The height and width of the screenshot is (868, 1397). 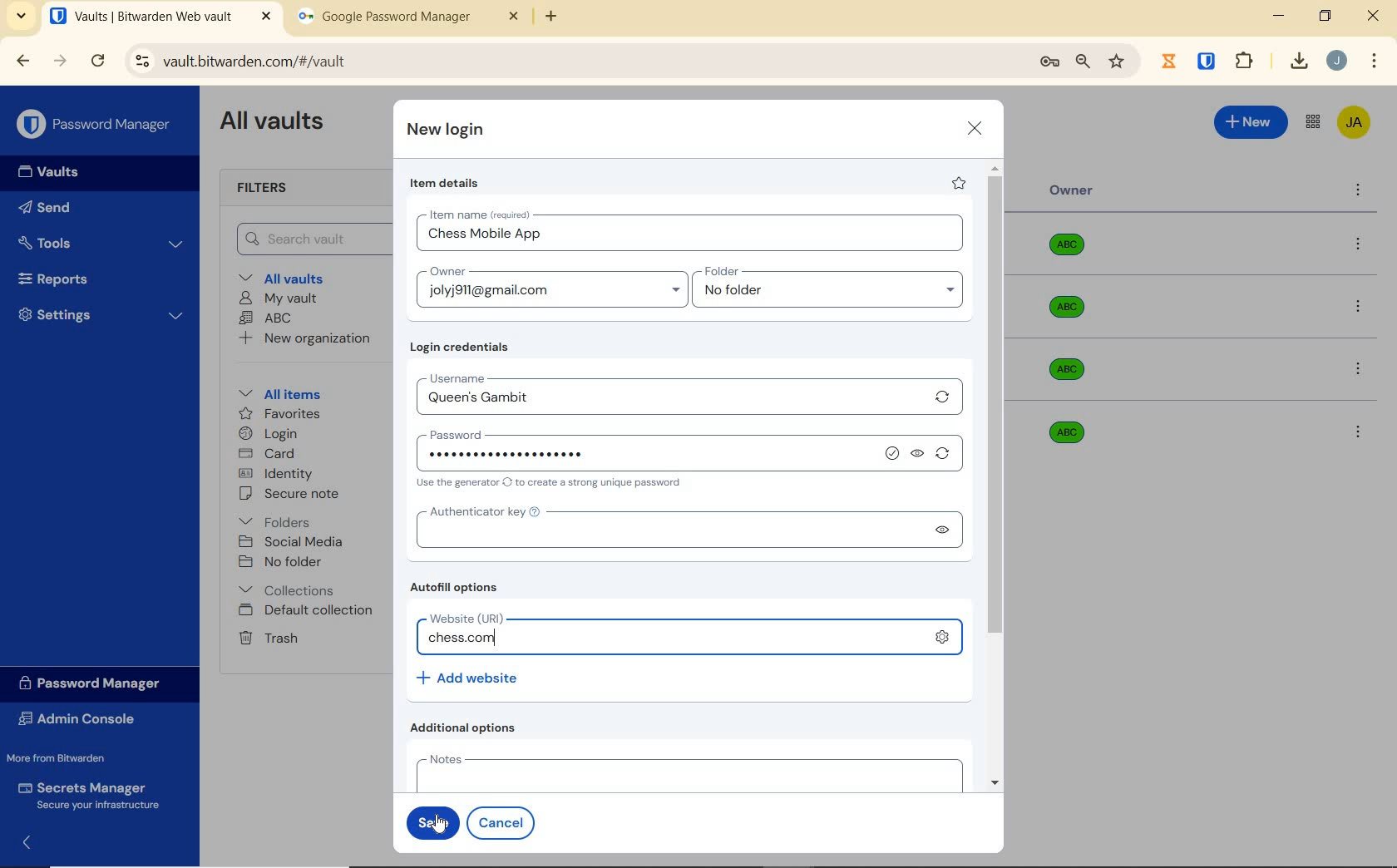 What do you see at coordinates (288, 277) in the screenshot?
I see `All vaults` at bounding box center [288, 277].